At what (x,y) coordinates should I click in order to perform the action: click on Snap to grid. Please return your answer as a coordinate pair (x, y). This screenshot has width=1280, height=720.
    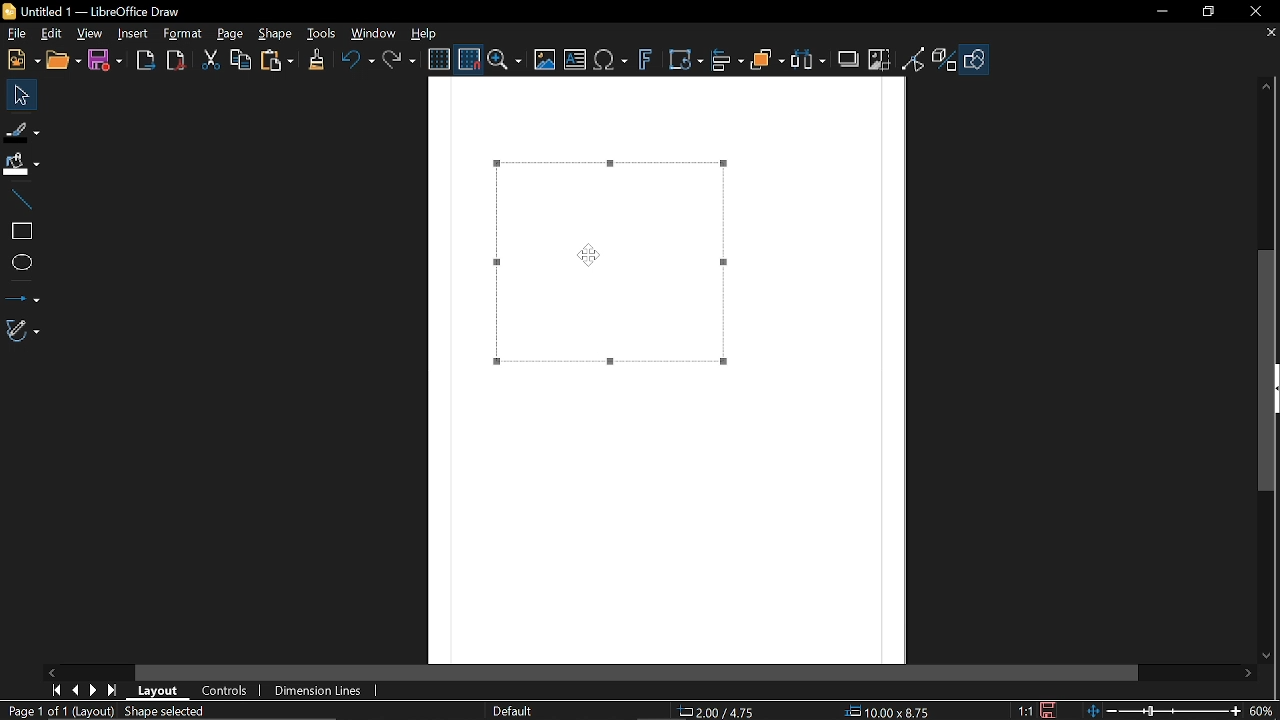
    Looking at the image, I should click on (467, 58).